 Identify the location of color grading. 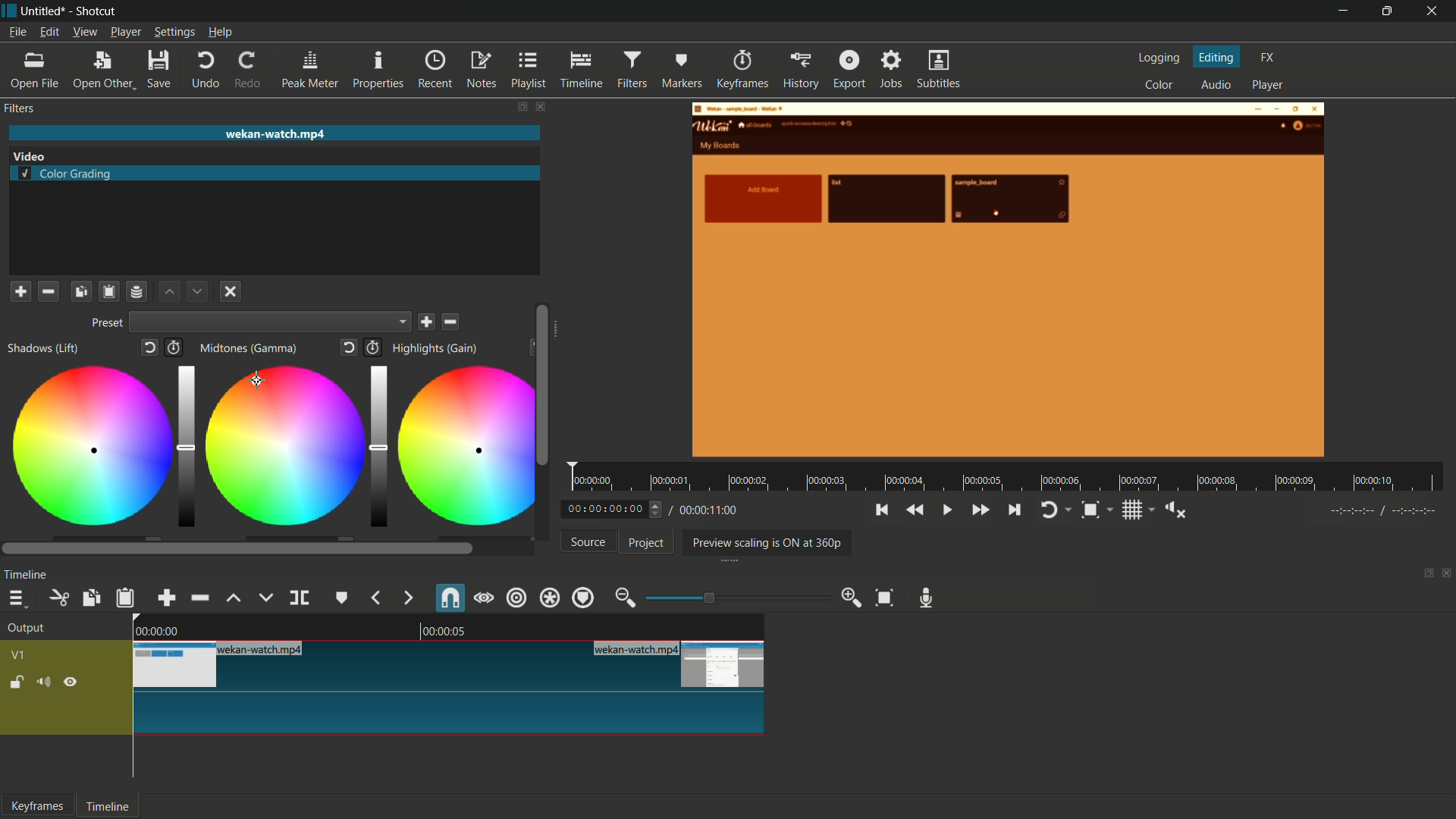
(68, 175).